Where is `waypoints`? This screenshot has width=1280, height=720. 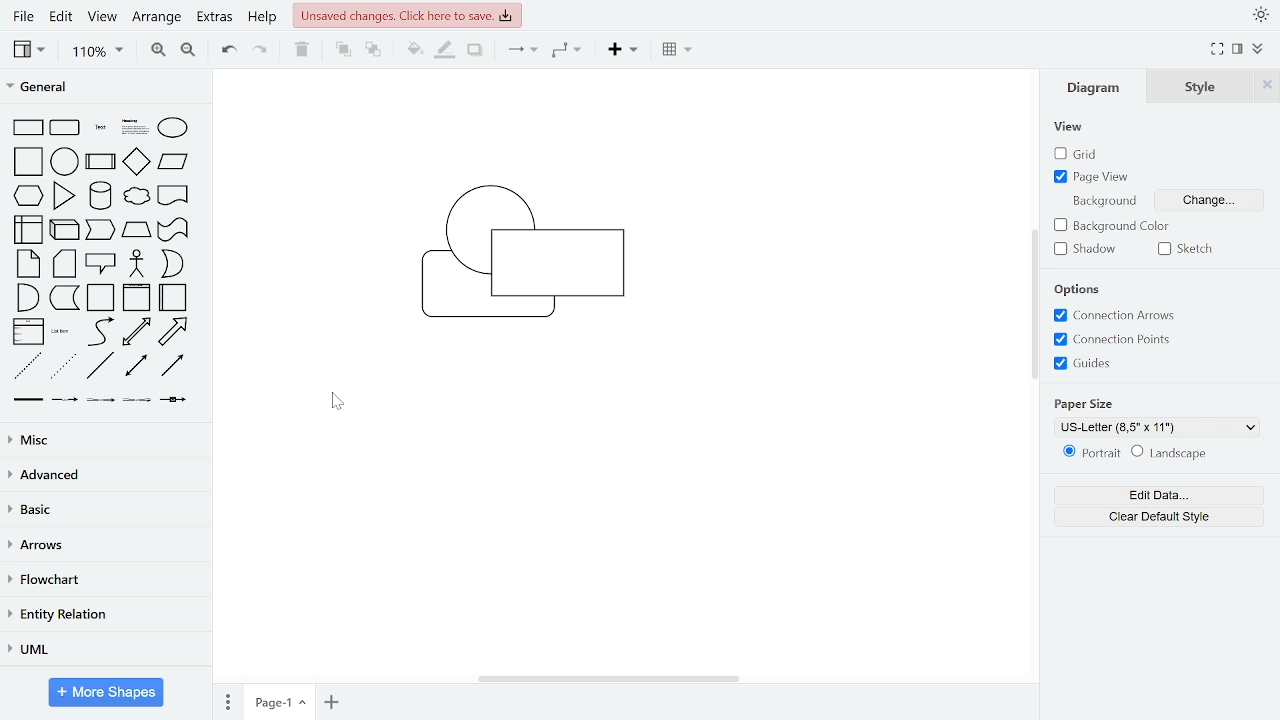
waypoints is located at coordinates (568, 52).